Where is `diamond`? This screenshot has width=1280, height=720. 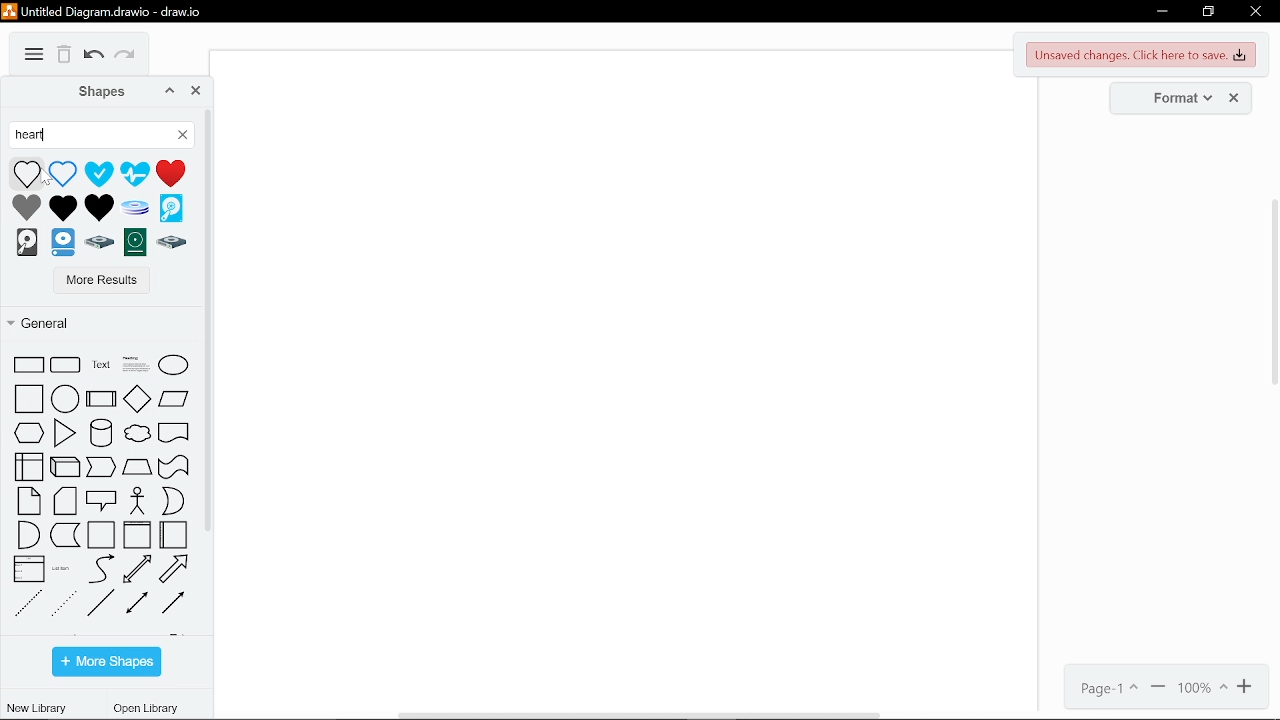 diamond is located at coordinates (99, 469).